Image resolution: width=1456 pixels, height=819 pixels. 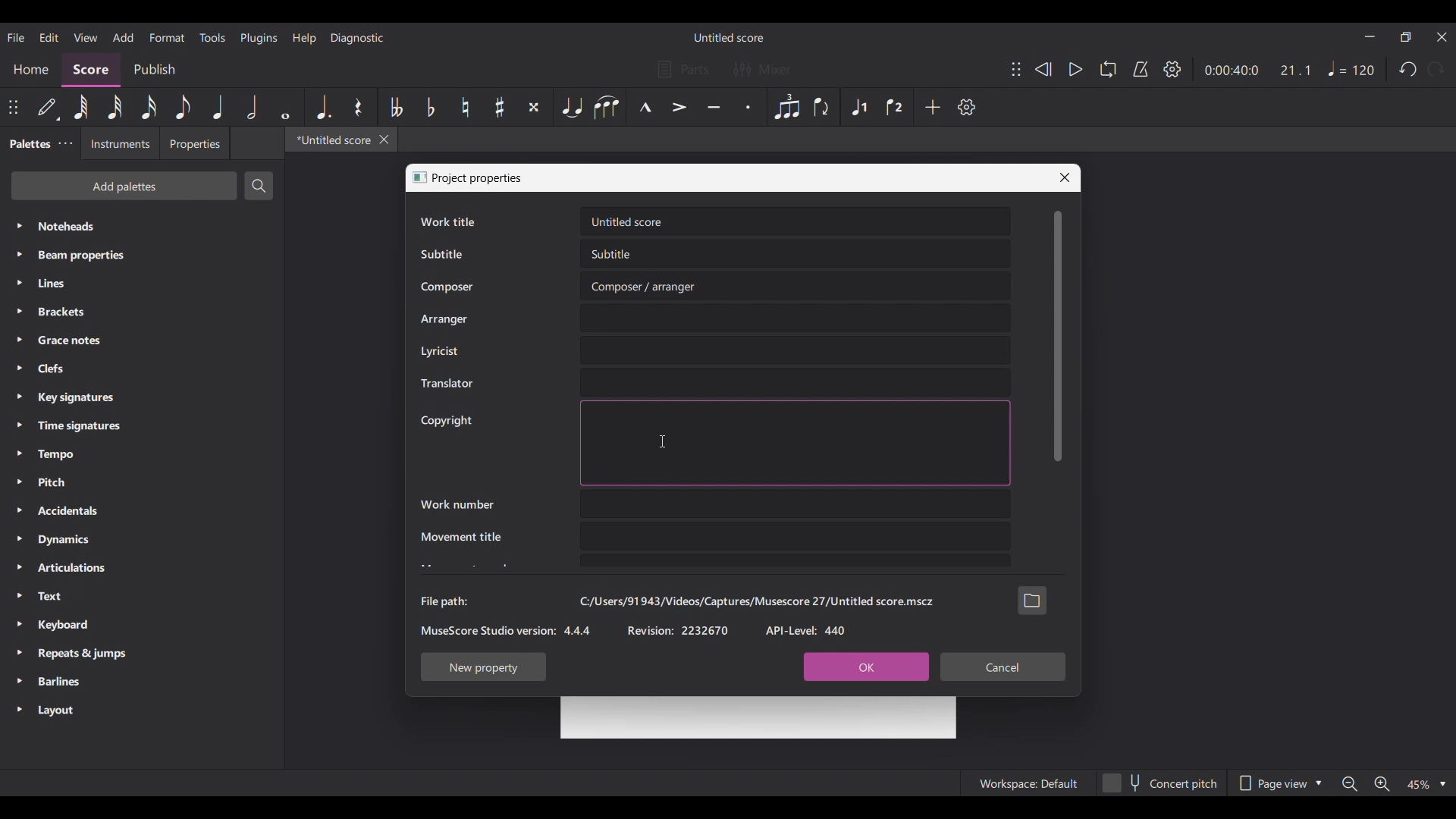 What do you see at coordinates (1407, 69) in the screenshot?
I see `Undo` at bounding box center [1407, 69].